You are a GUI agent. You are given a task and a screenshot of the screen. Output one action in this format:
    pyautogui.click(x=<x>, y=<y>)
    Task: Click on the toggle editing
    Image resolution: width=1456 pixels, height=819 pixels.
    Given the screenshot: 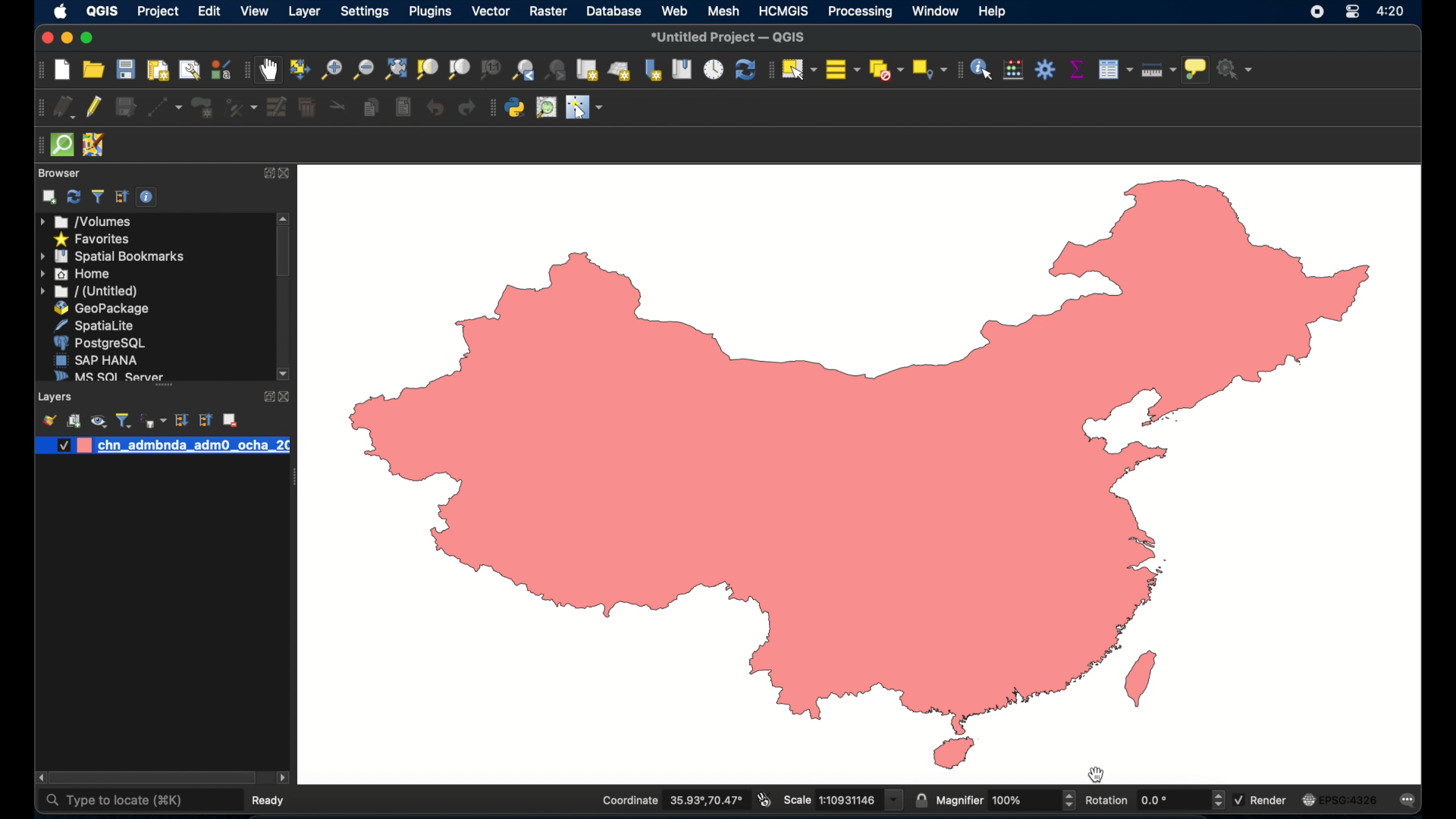 What is the action you would take?
    pyautogui.click(x=95, y=105)
    